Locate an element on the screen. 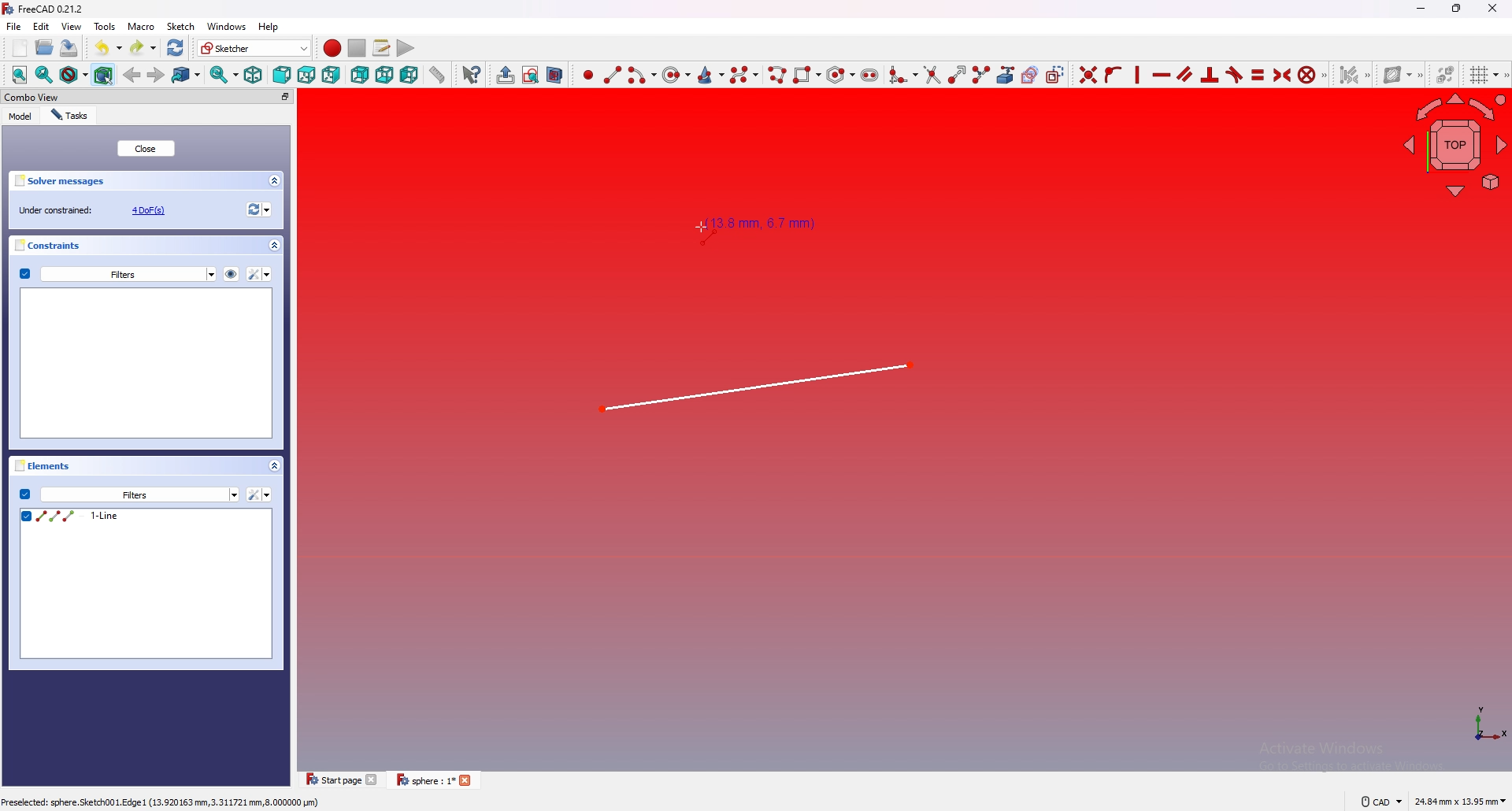 The height and width of the screenshot is (811, 1512). Back is located at coordinates (132, 73).